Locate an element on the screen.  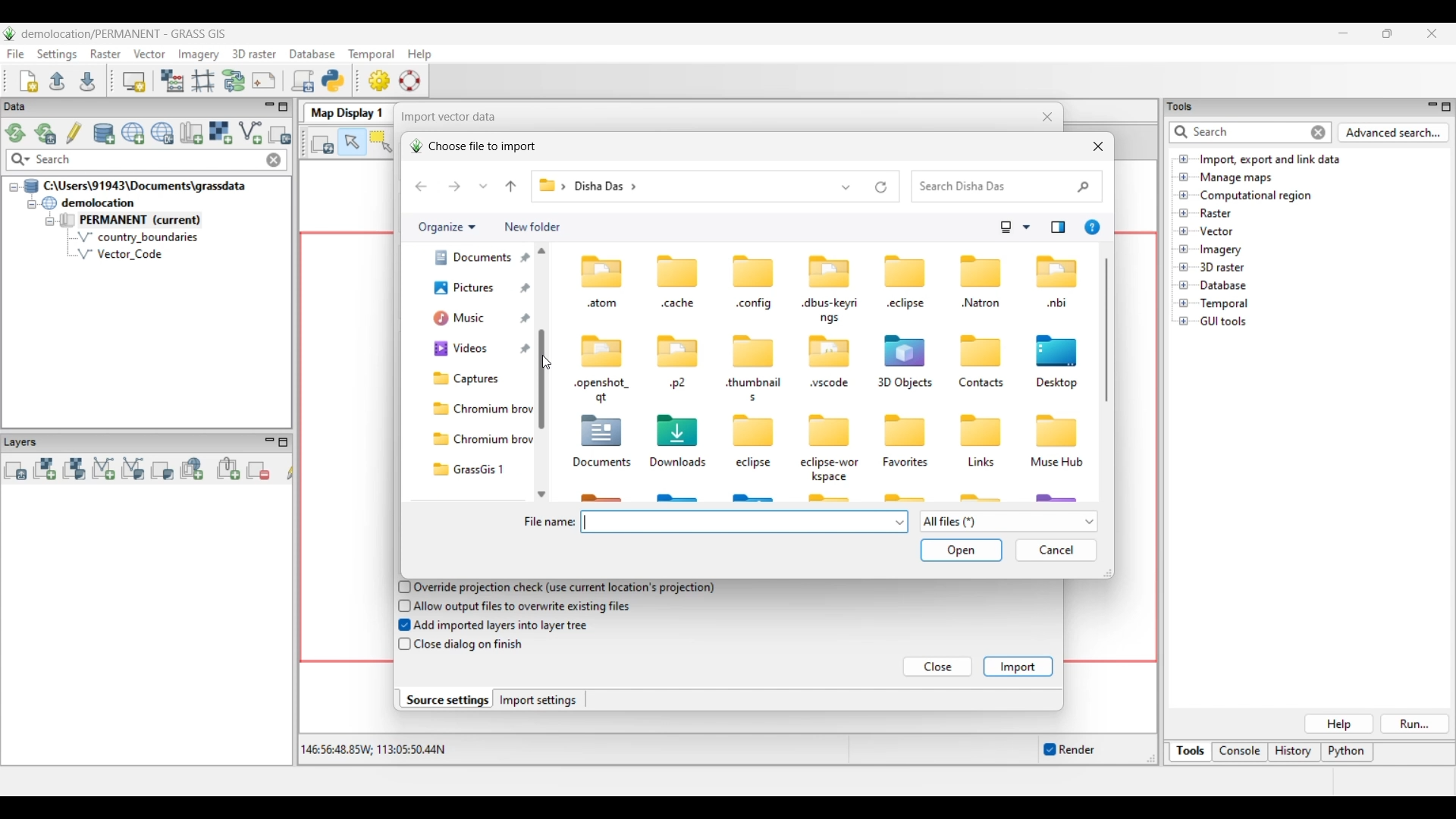
Start new map display is located at coordinates (134, 82).